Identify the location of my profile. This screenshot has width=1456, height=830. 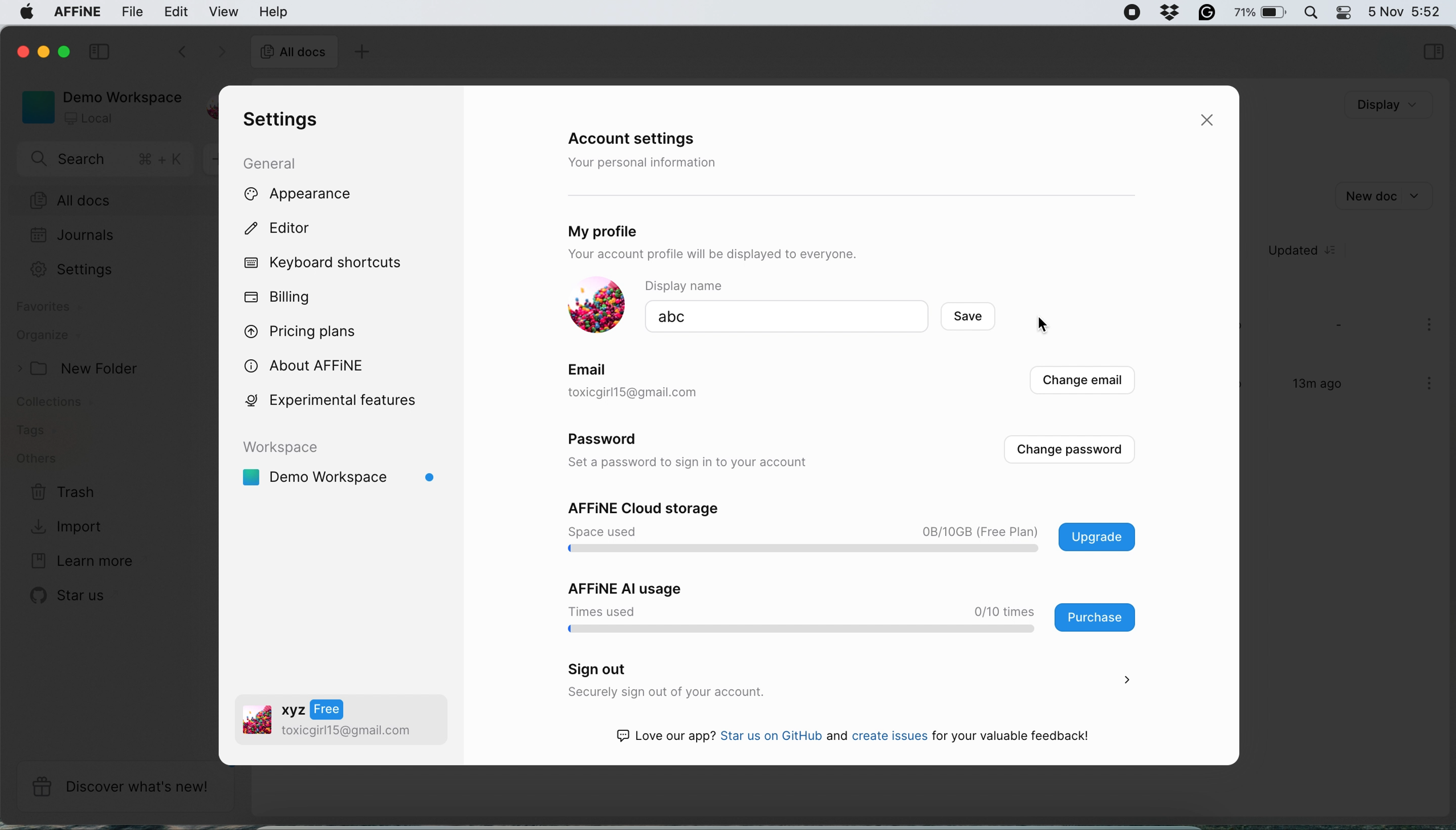
(639, 228).